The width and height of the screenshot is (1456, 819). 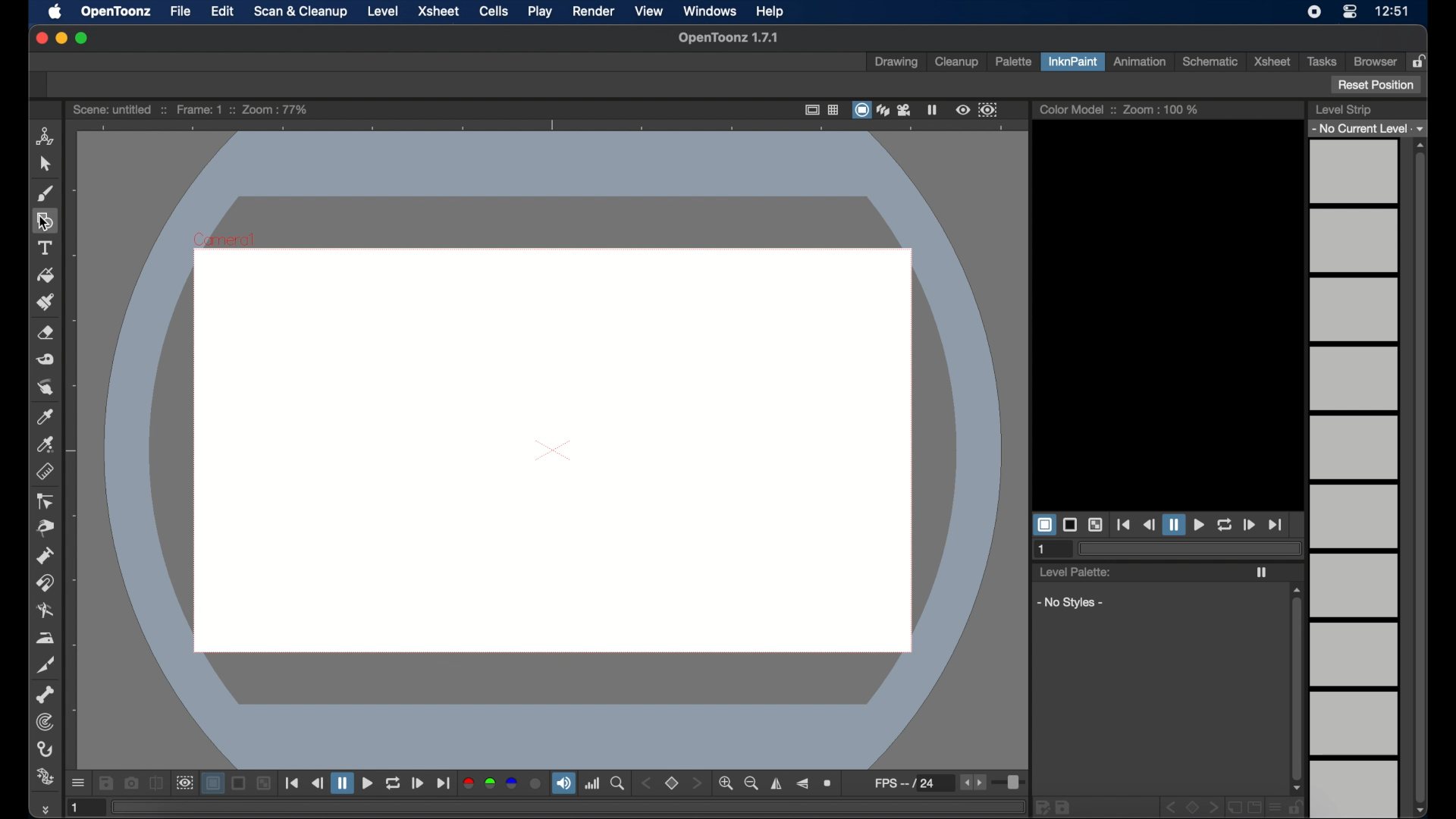 What do you see at coordinates (913, 783) in the screenshot?
I see `fps` at bounding box center [913, 783].